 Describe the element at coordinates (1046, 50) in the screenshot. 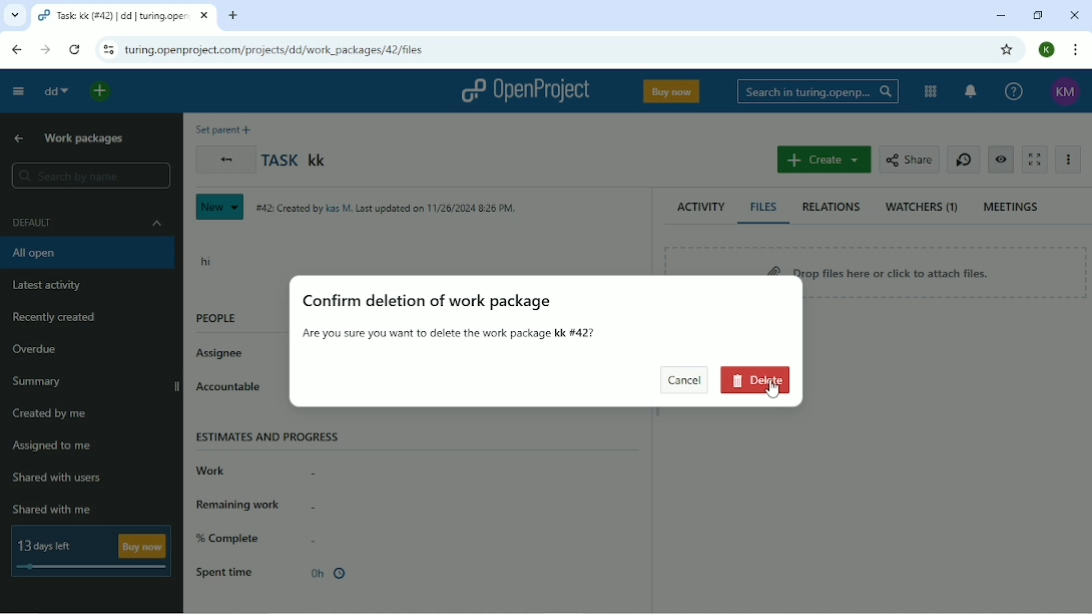

I see `K` at that location.